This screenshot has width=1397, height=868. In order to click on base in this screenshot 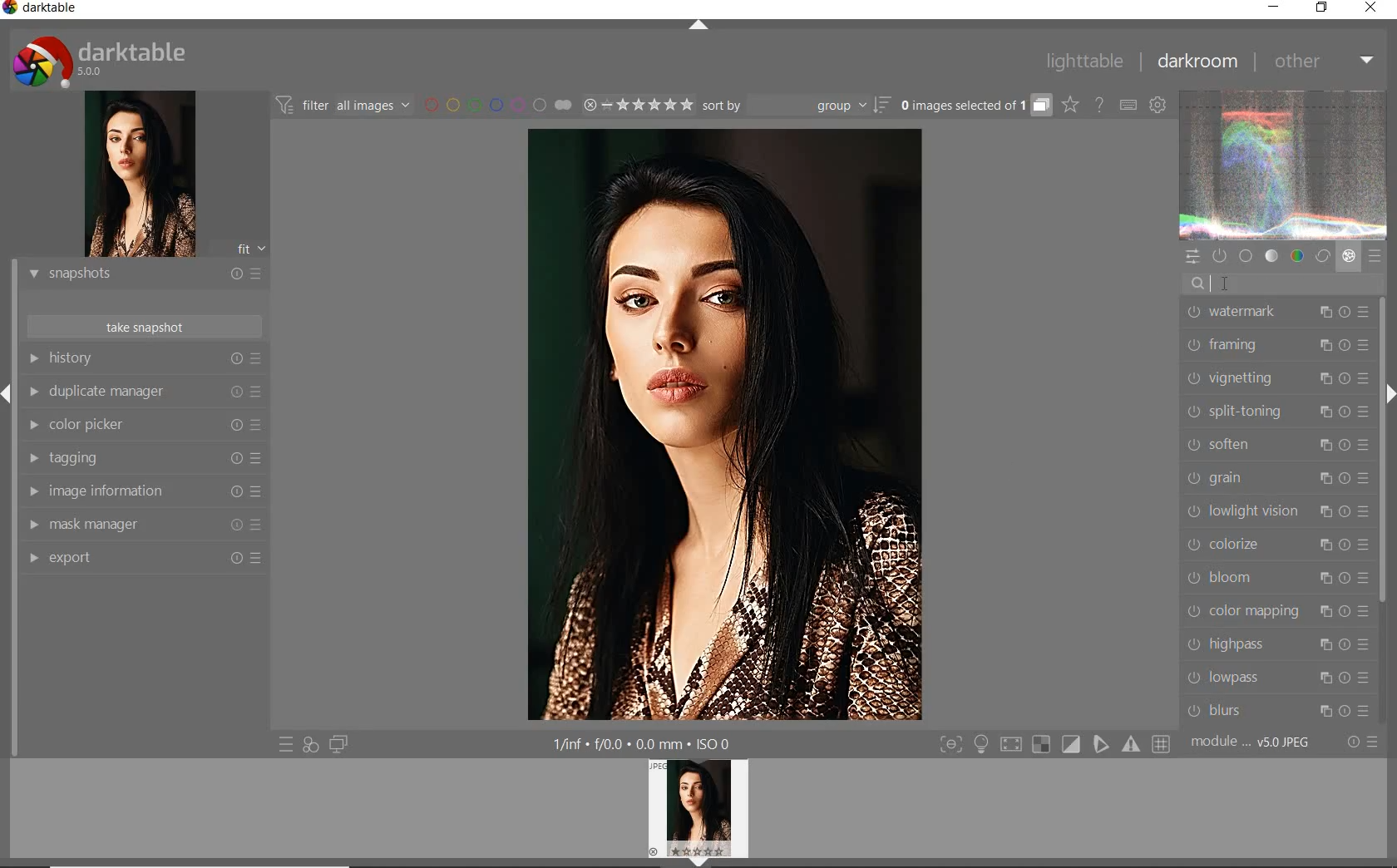, I will do `click(1246, 255)`.